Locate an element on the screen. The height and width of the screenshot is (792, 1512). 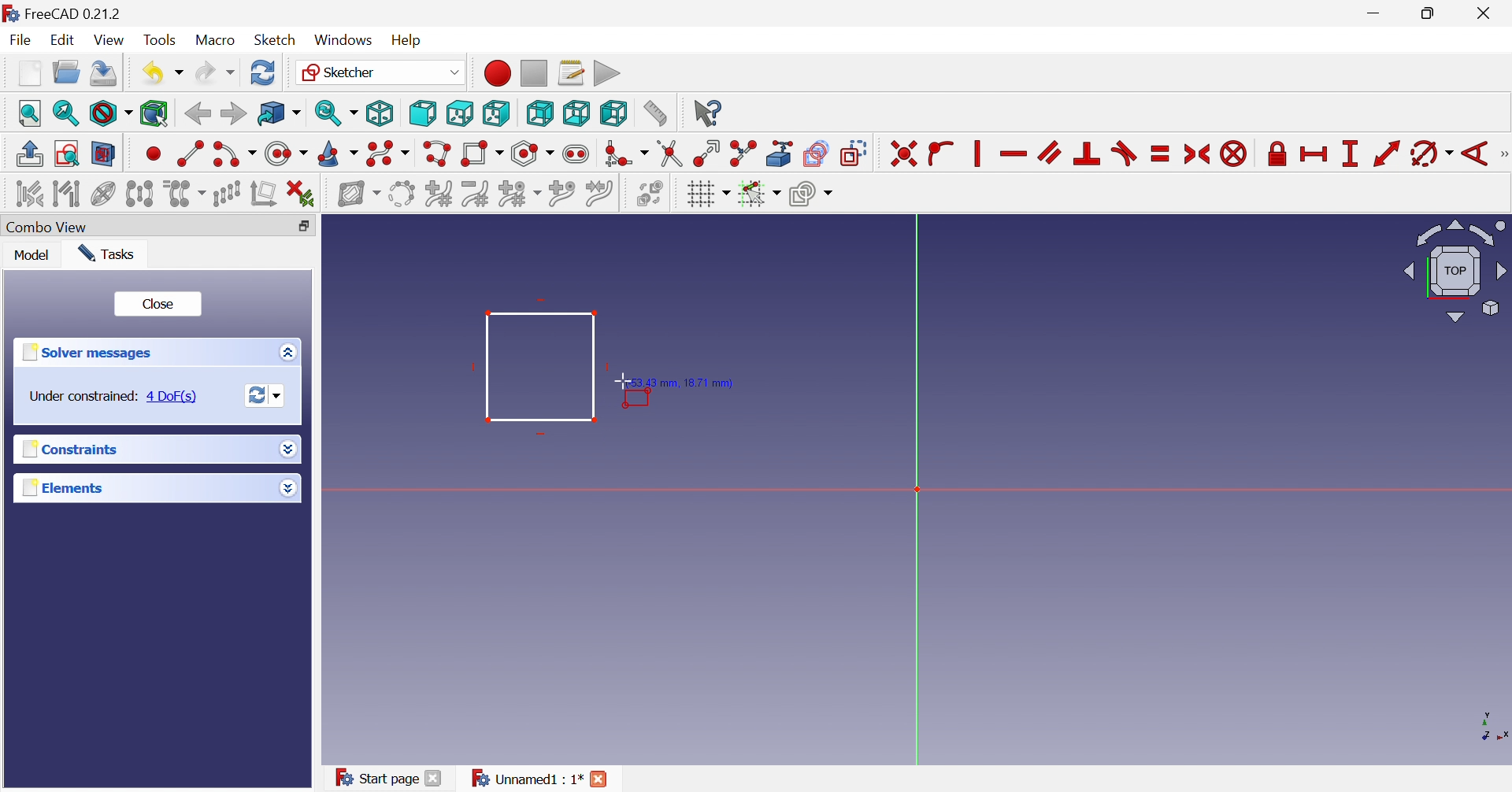
Bottom is located at coordinates (576, 113).